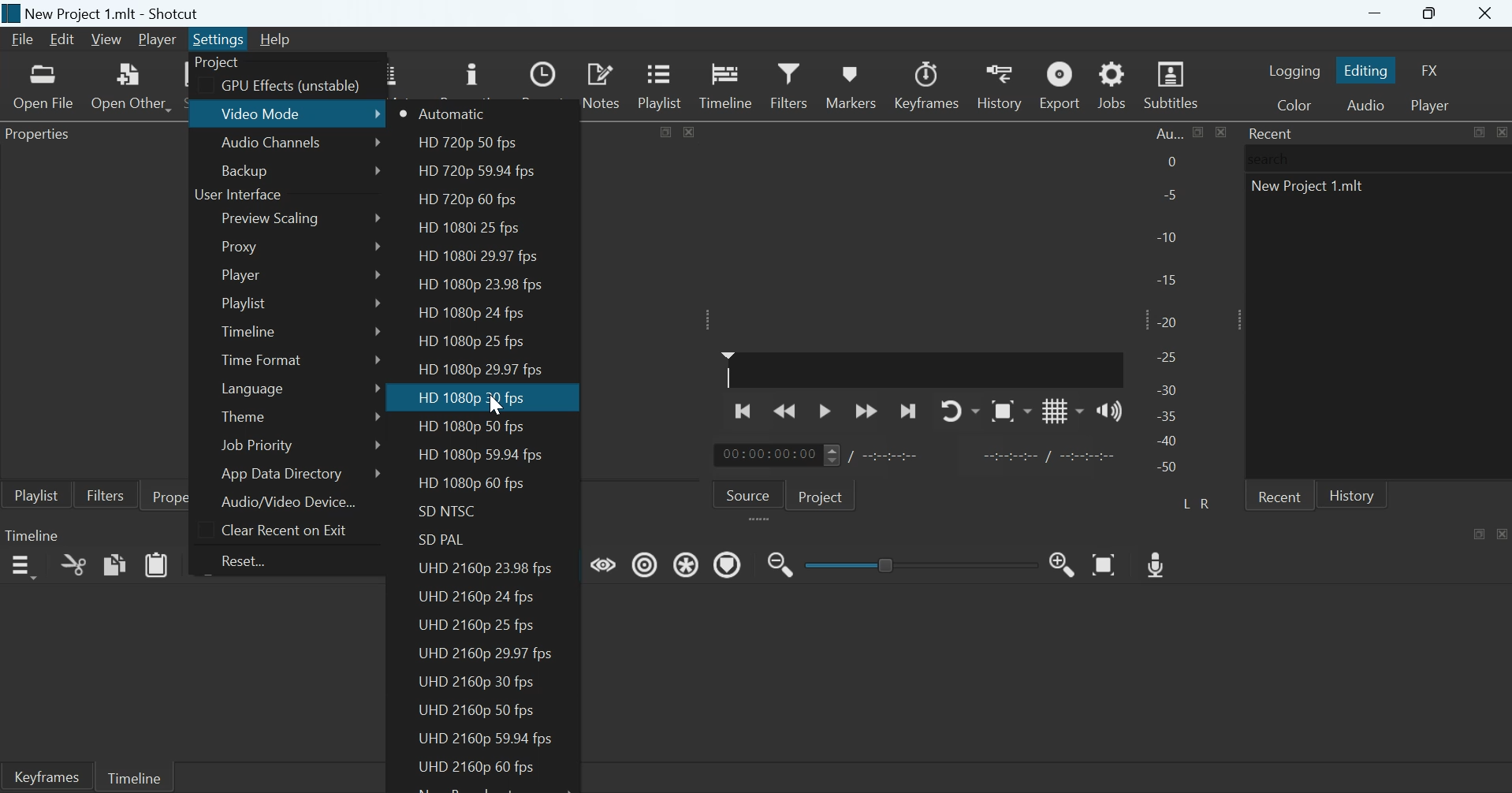  I want to click on Recent, so click(546, 85).